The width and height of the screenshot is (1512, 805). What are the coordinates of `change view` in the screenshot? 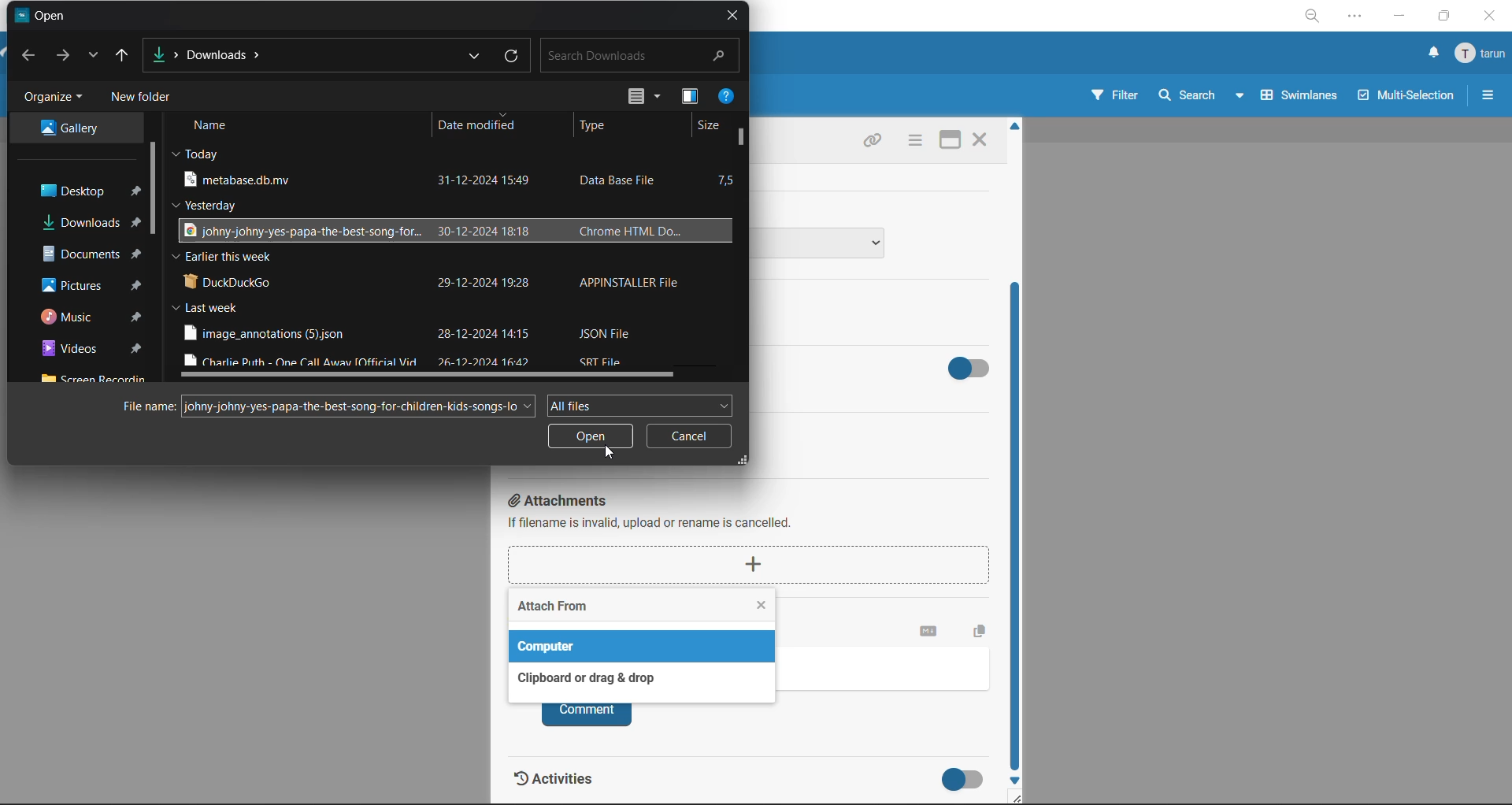 It's located at (641, 98).